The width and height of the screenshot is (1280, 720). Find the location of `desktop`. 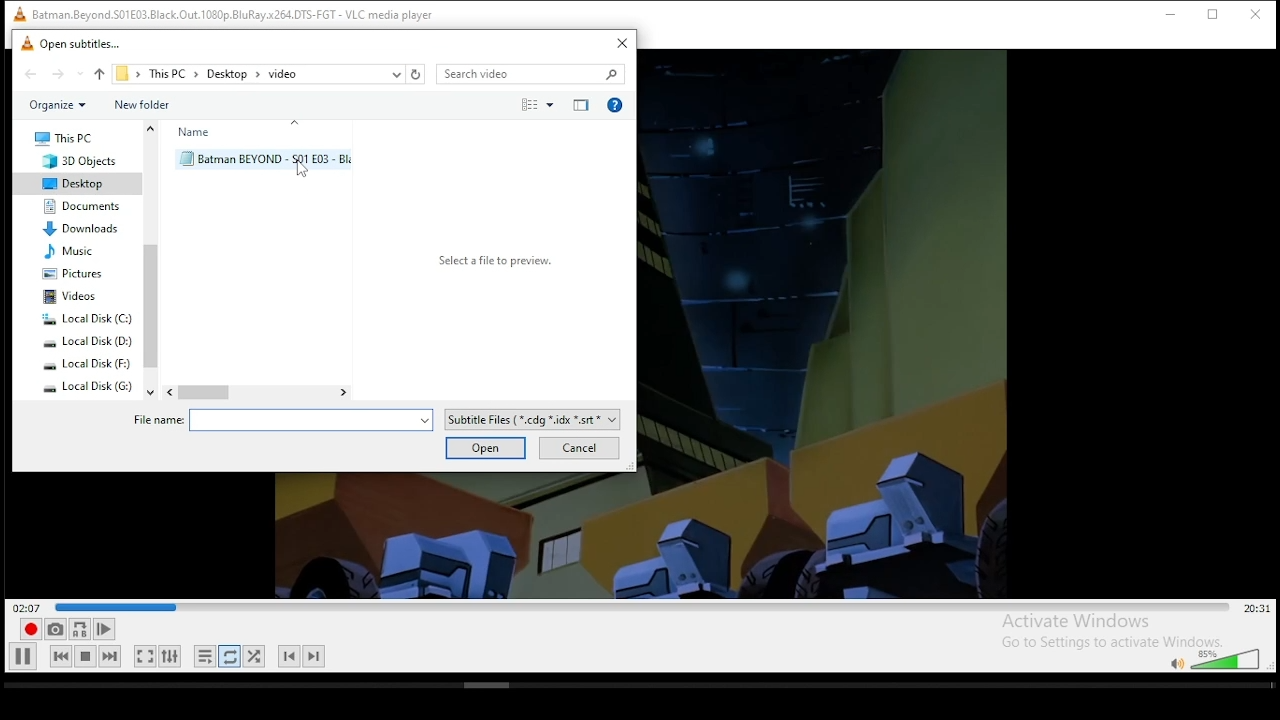

desktop is located at coordinates (226, 74).